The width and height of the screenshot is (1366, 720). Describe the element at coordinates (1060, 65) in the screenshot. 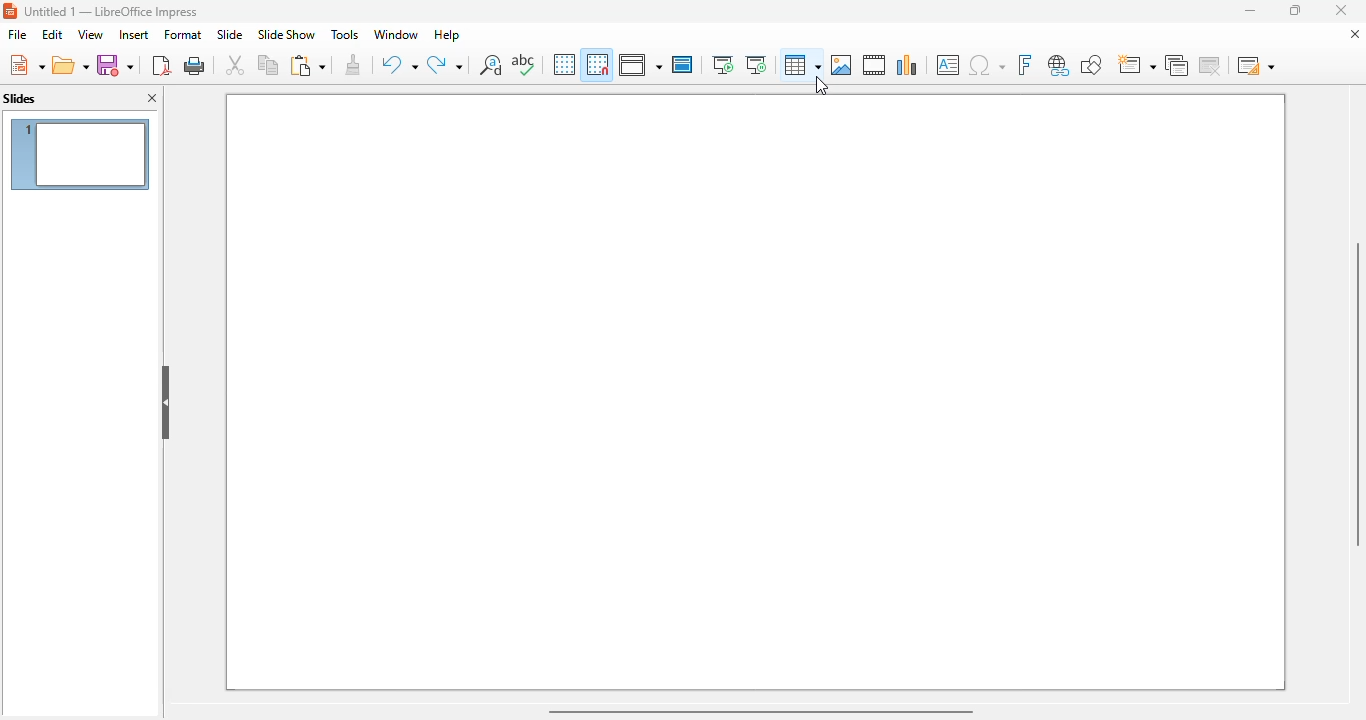

I see `insert hyperlink` at that location.